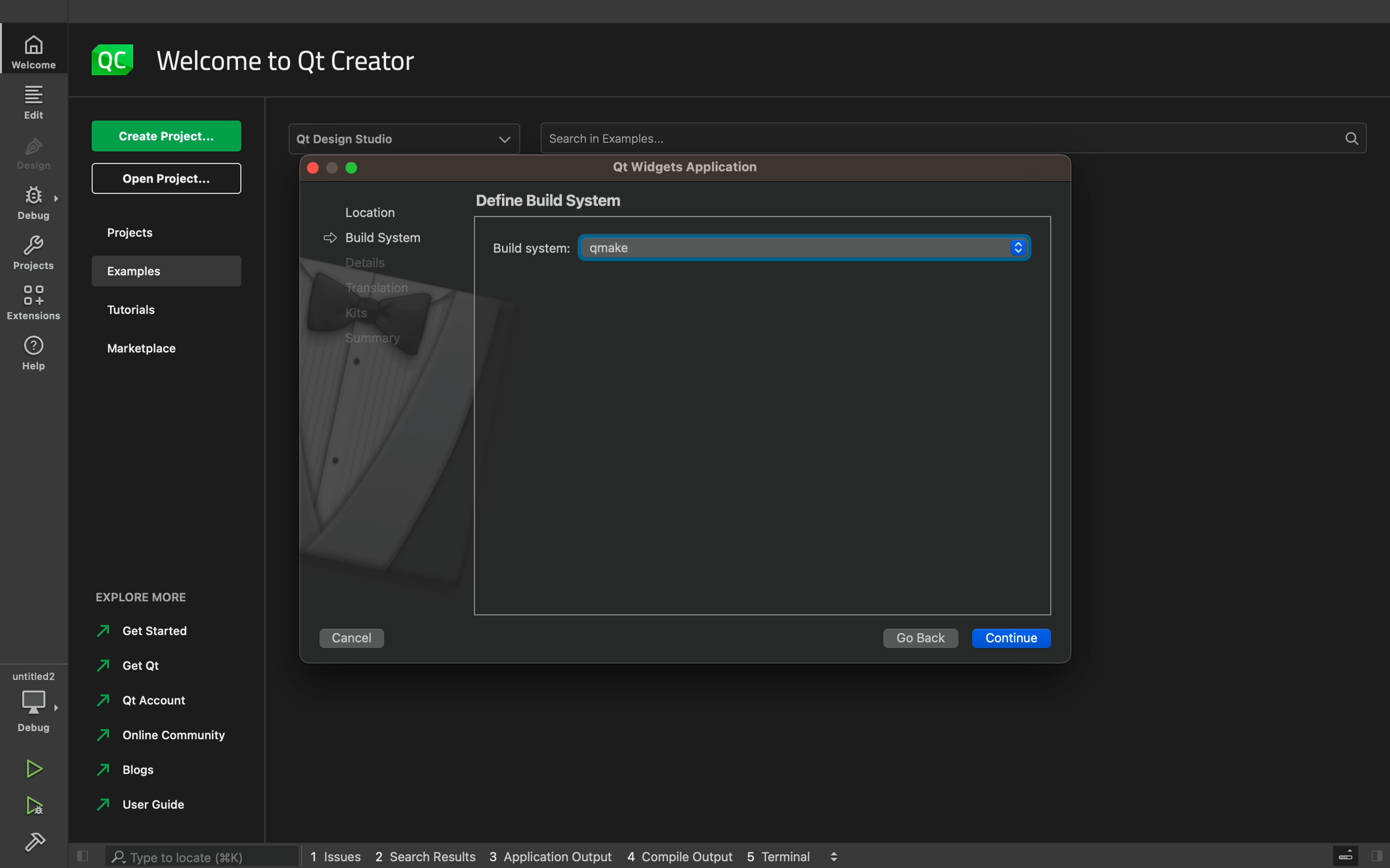  Describe the element at coordinates (364, 312) in the screenshot. I see `kits` at that location.